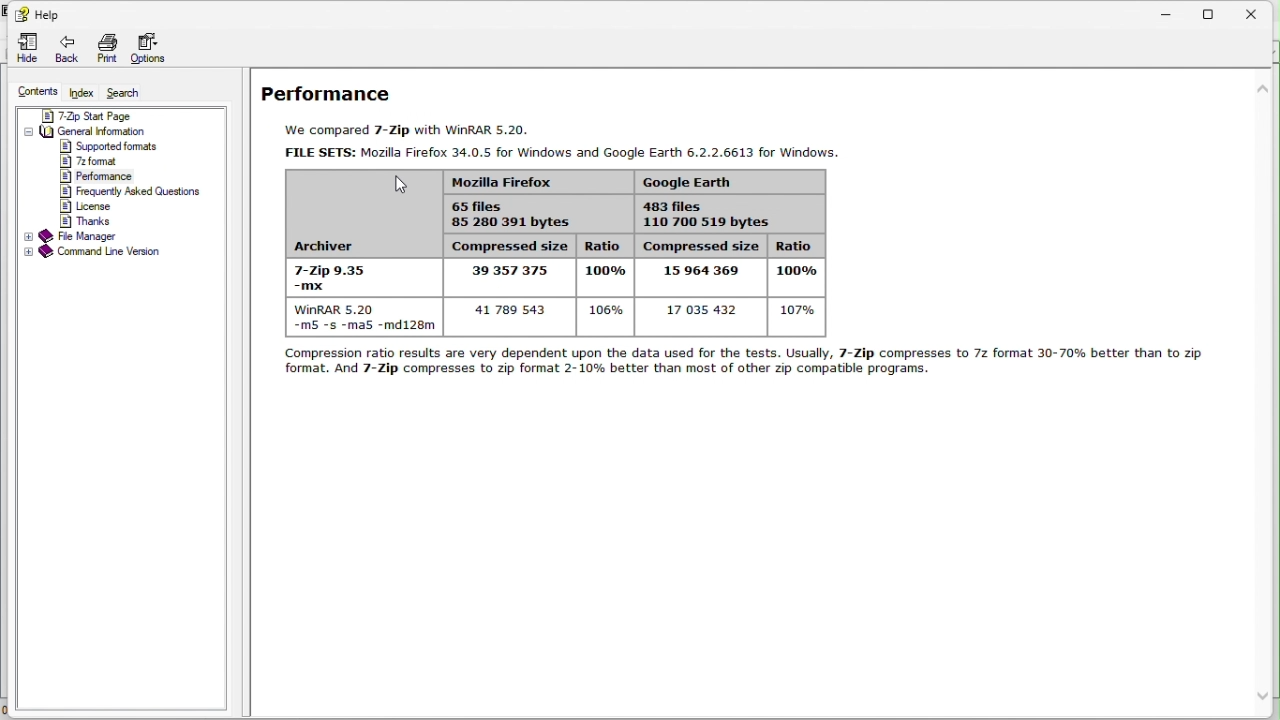  Describe the element at coordinates (1175, 10) in the screenshot. I see `minimize` at that location.